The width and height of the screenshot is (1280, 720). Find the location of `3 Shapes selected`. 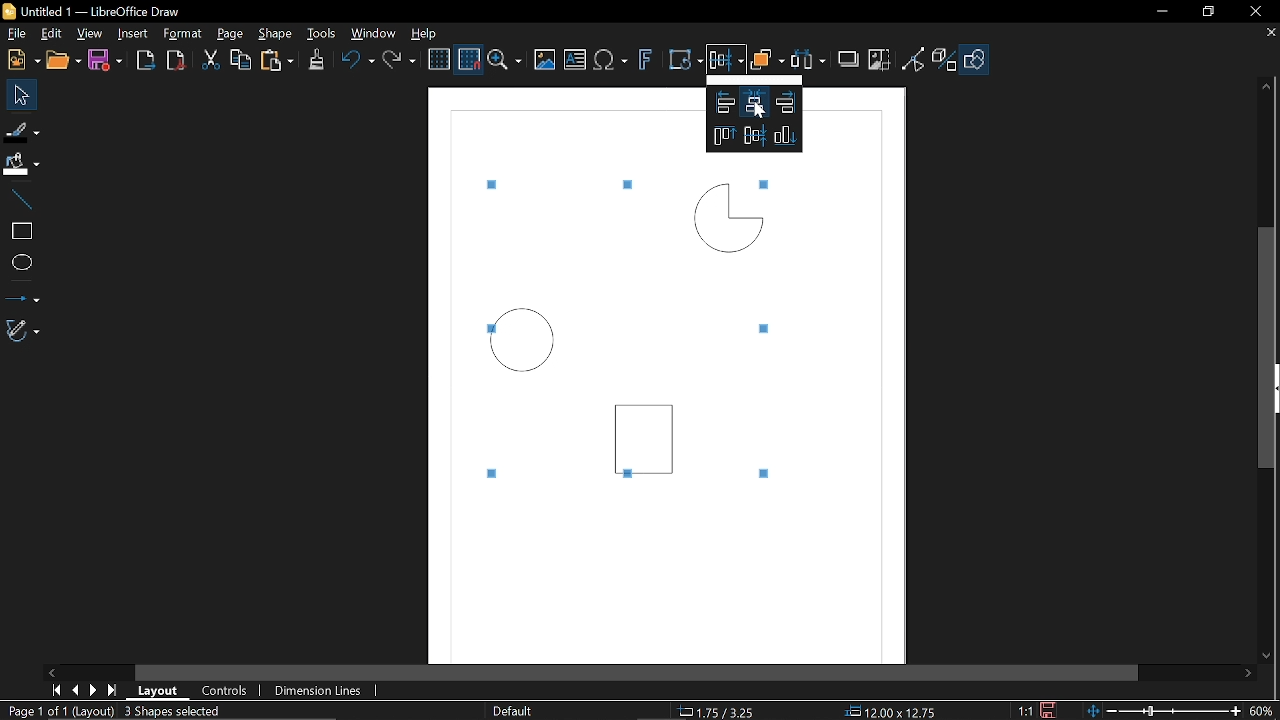

3 Shapes selected is located at coordinates (172, 710).